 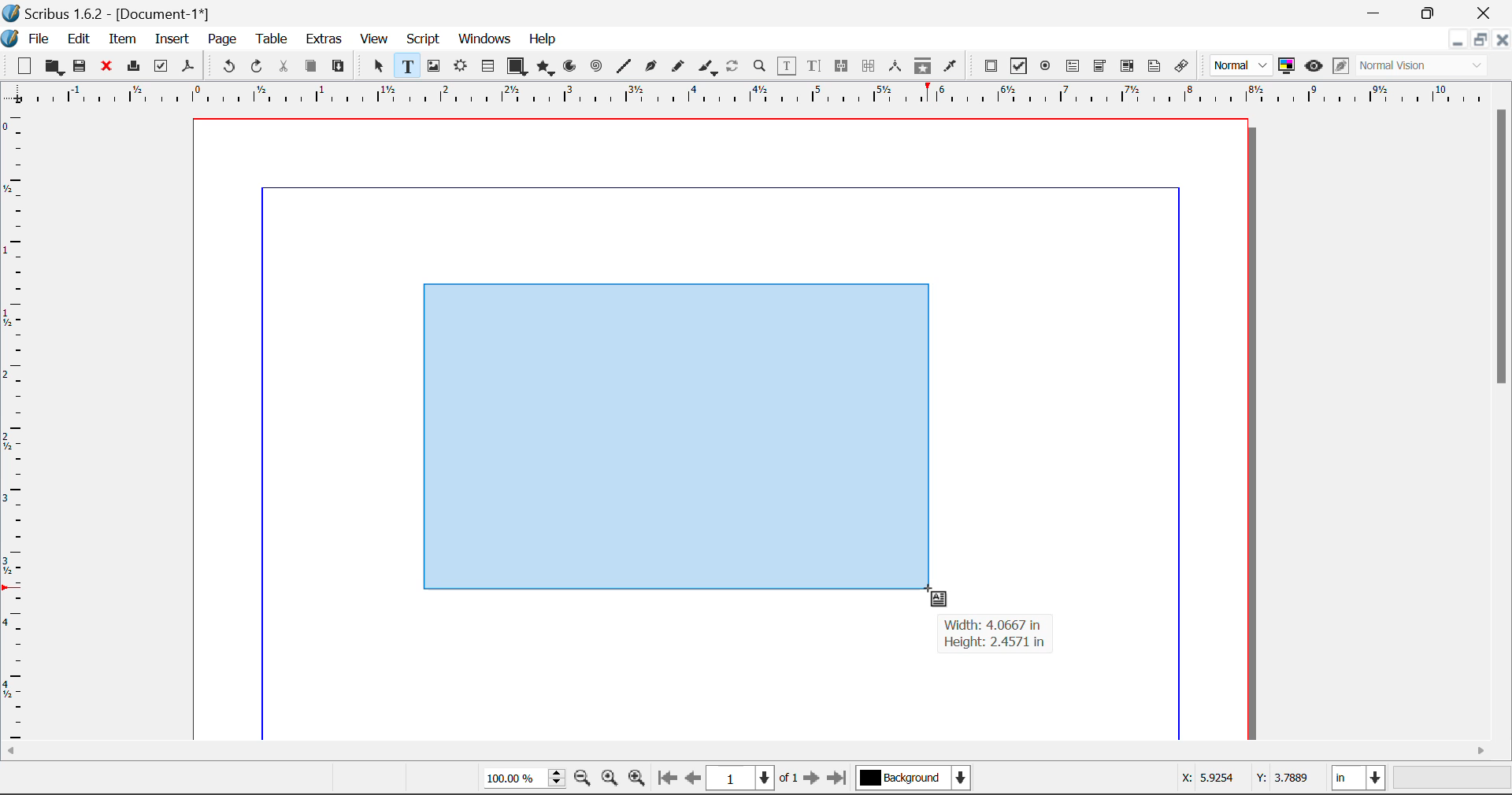 What do you see at coordinates (424, 41) in the screenshot?
I see `Script` at bounding box center [424, 41].